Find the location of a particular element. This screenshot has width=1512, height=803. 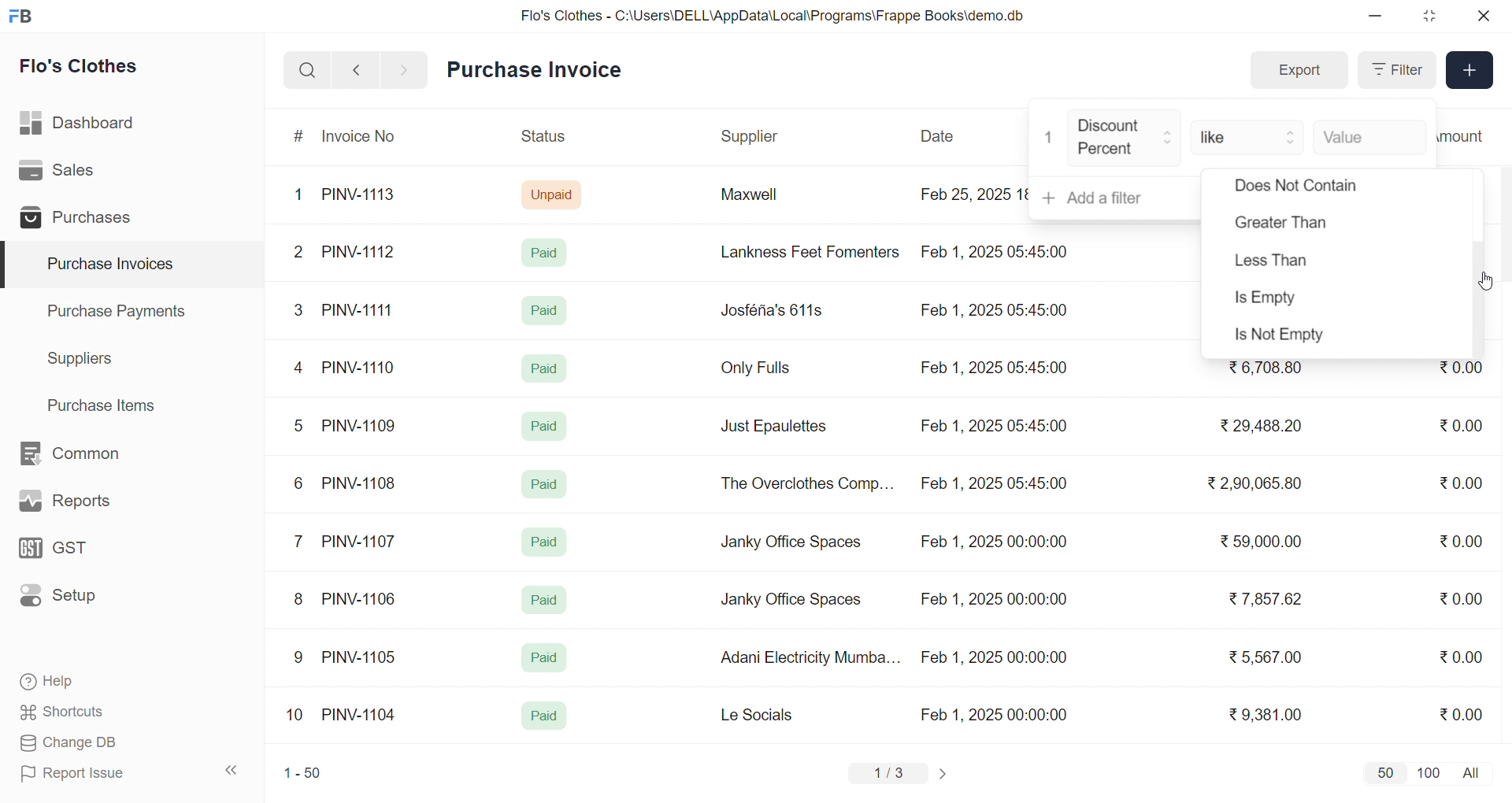

Setup is located at coordinates (82, 601).